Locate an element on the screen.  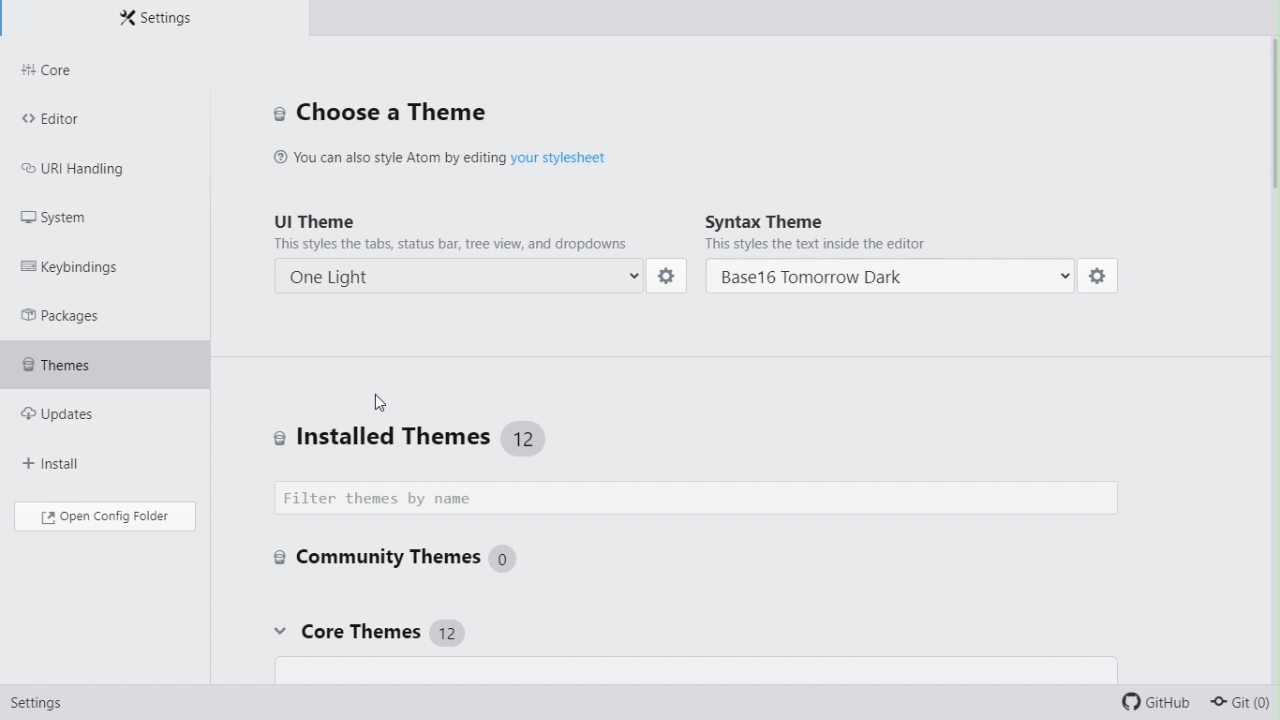
key bindings is located at coordinates (105, 271).